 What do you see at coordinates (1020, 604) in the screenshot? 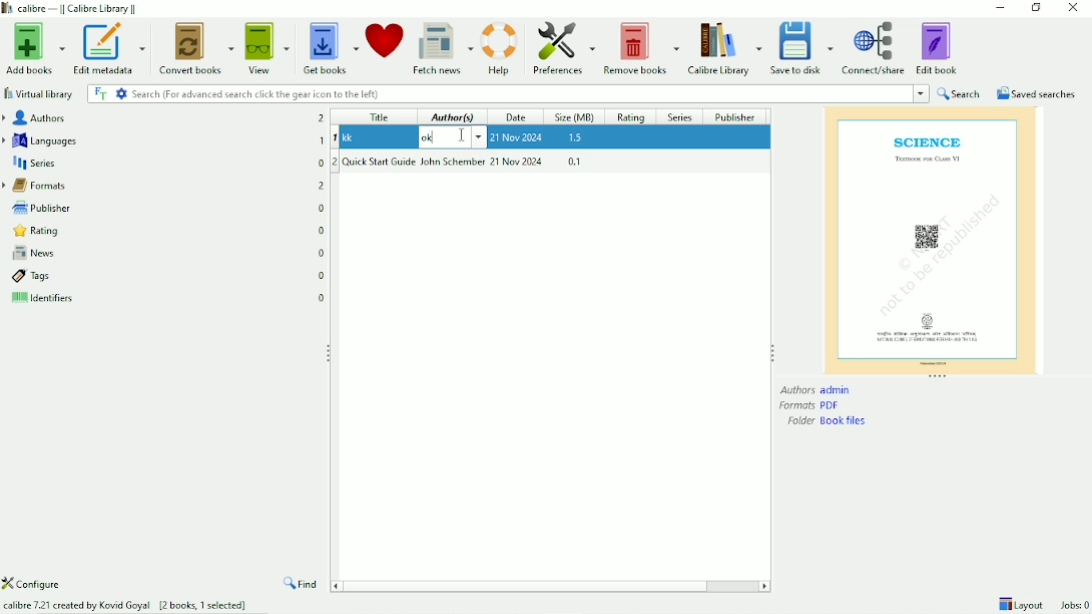
I see `Layout` at bounding box center [1020, 604].